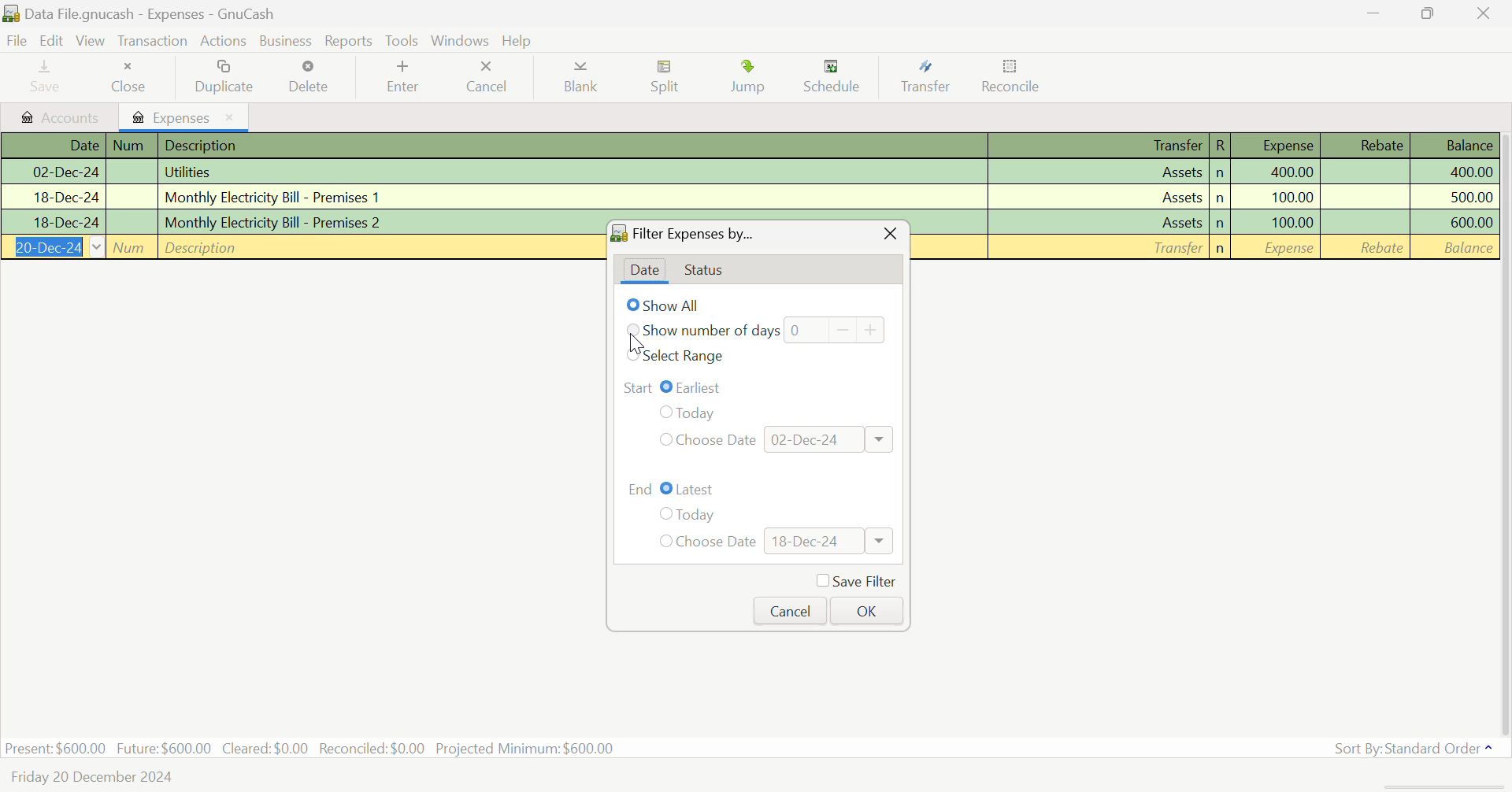 The width and height of the screenshot is (1512, 792). I want to click on Status Tab, so click(705, 269).